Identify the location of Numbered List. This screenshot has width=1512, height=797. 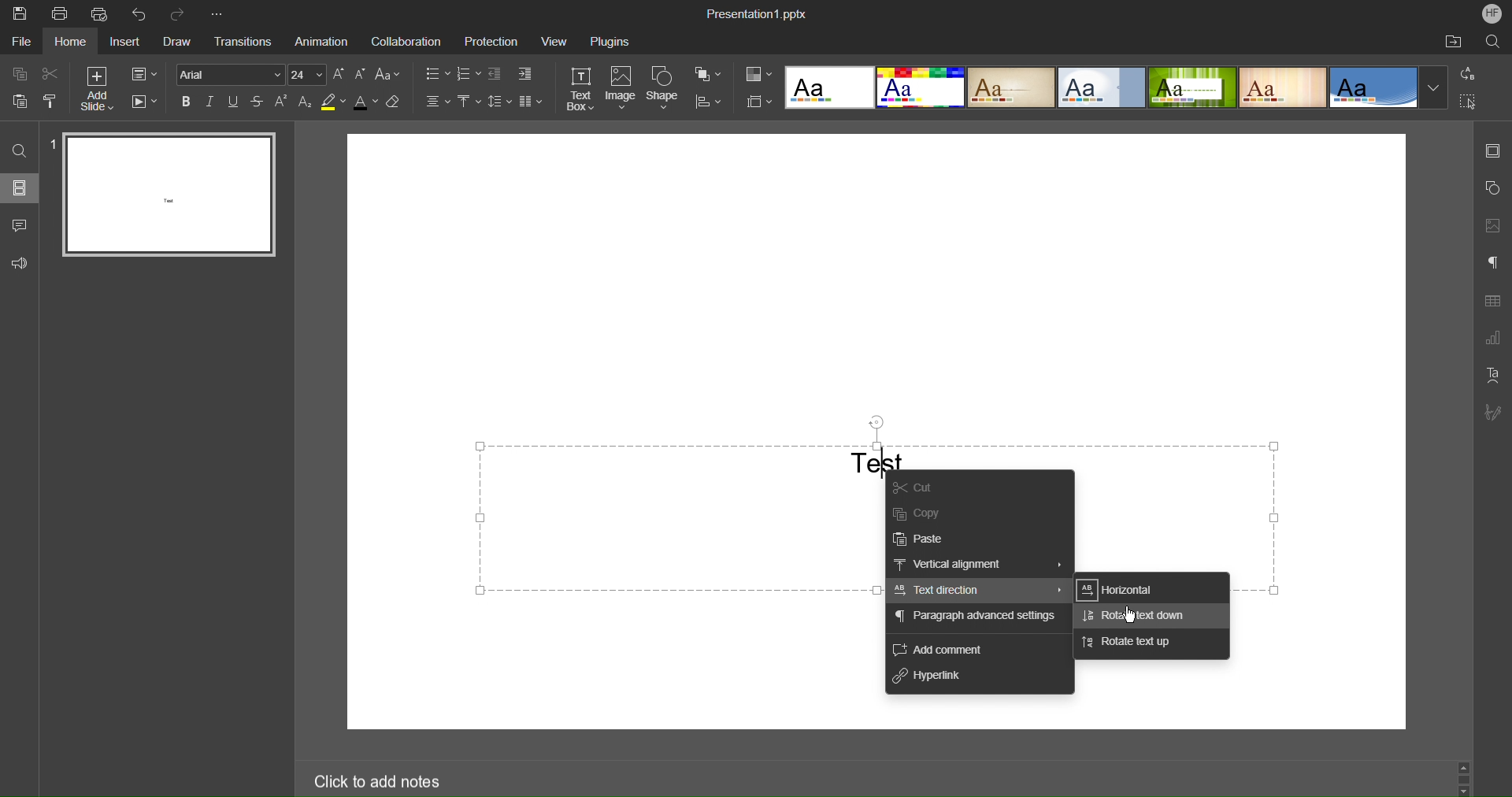
(468, 74).